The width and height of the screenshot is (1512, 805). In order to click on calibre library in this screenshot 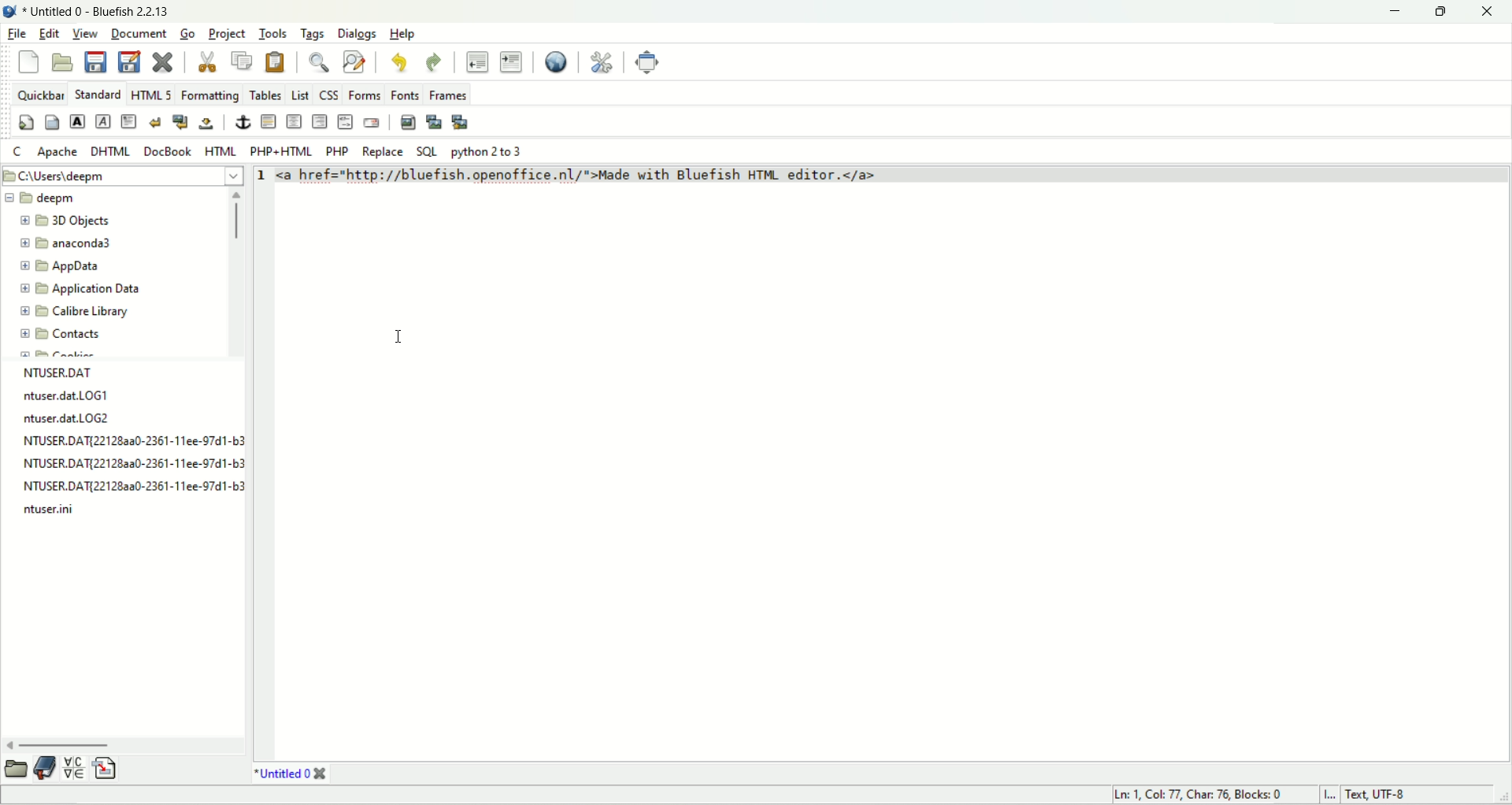, I will do `click(72, 312)`.